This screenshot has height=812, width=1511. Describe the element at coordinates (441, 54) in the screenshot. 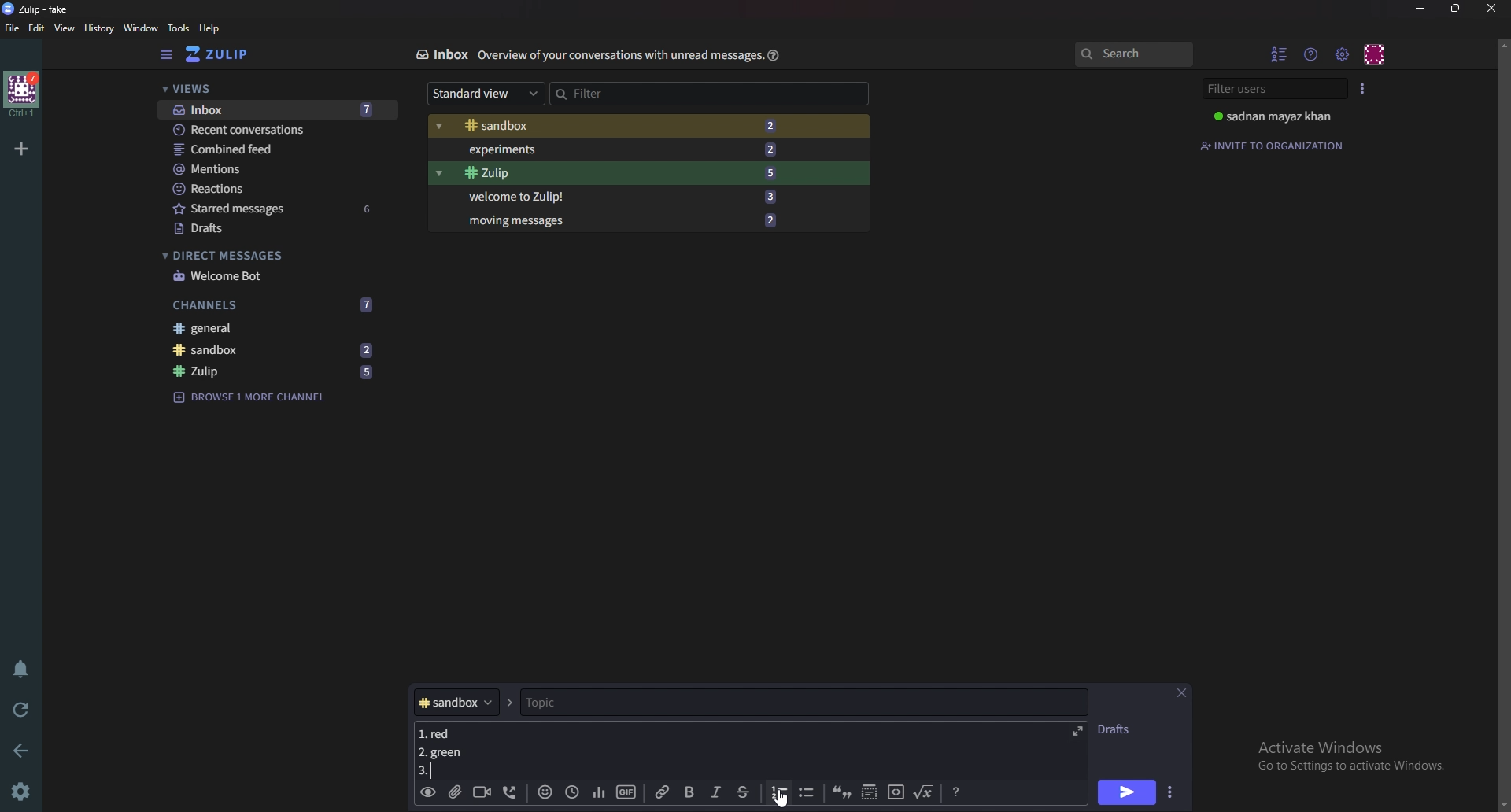

I see `Inbox` at that location.